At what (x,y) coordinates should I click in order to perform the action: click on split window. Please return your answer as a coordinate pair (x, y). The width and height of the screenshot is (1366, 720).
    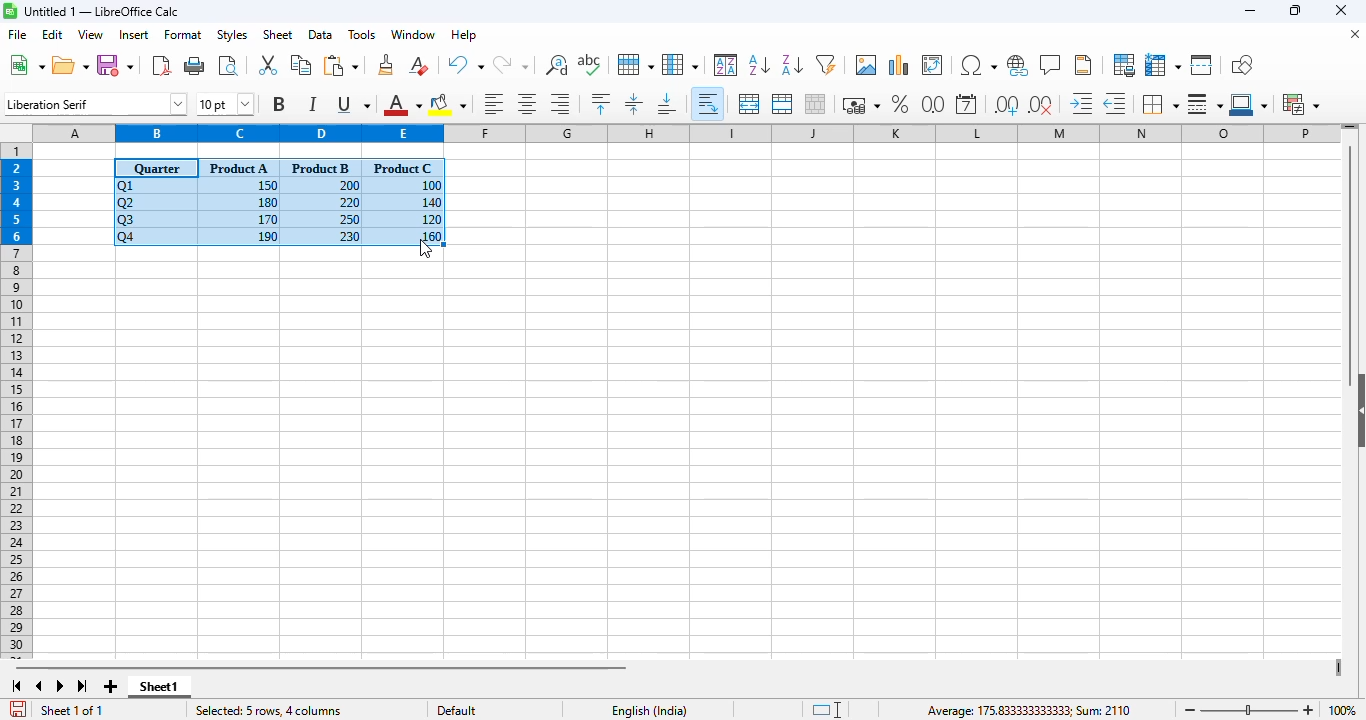
    Looking at the image, I should click on (1202, 65).